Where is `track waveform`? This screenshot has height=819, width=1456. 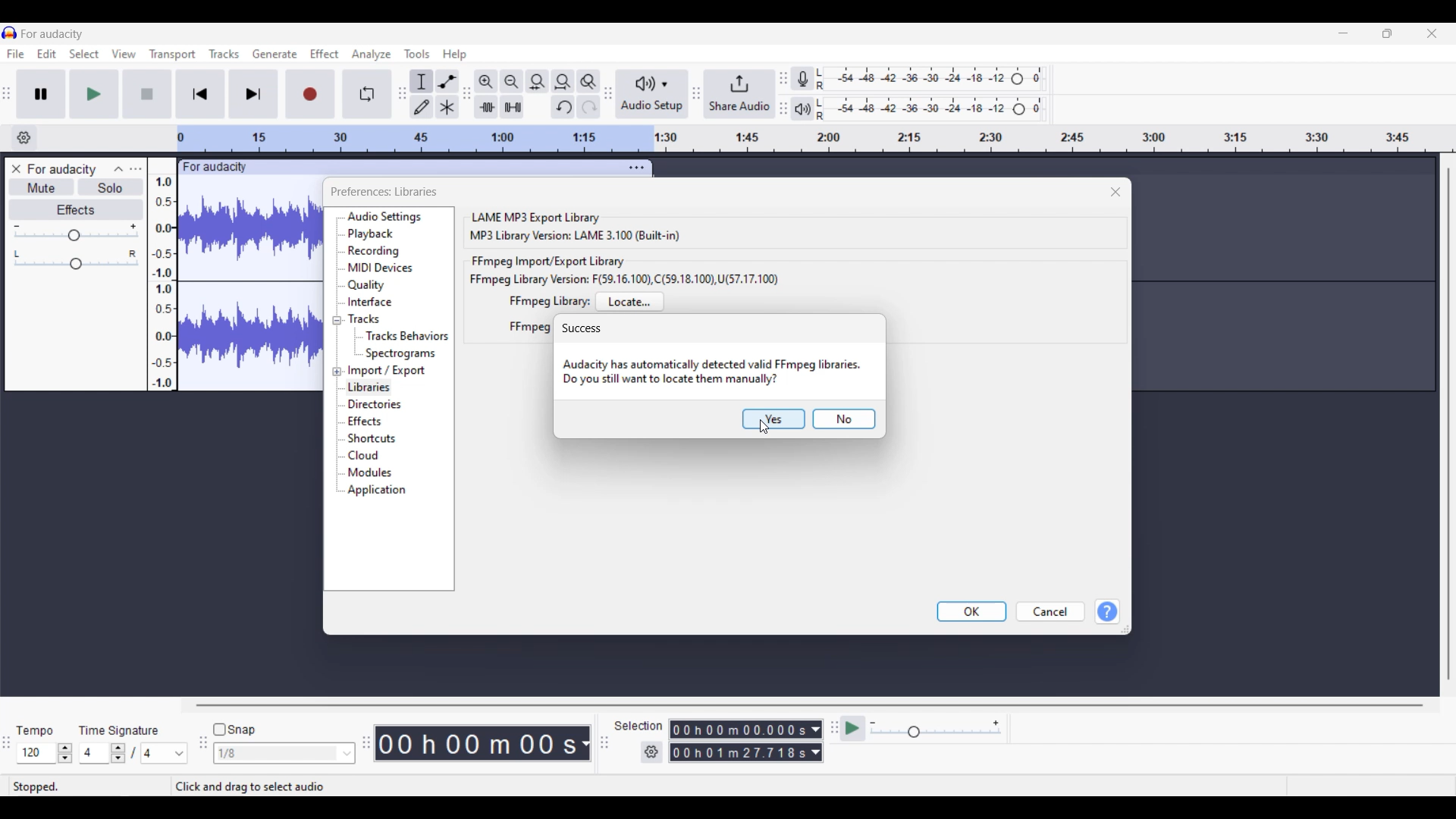 track waveform is located at coordinates (246, 287).